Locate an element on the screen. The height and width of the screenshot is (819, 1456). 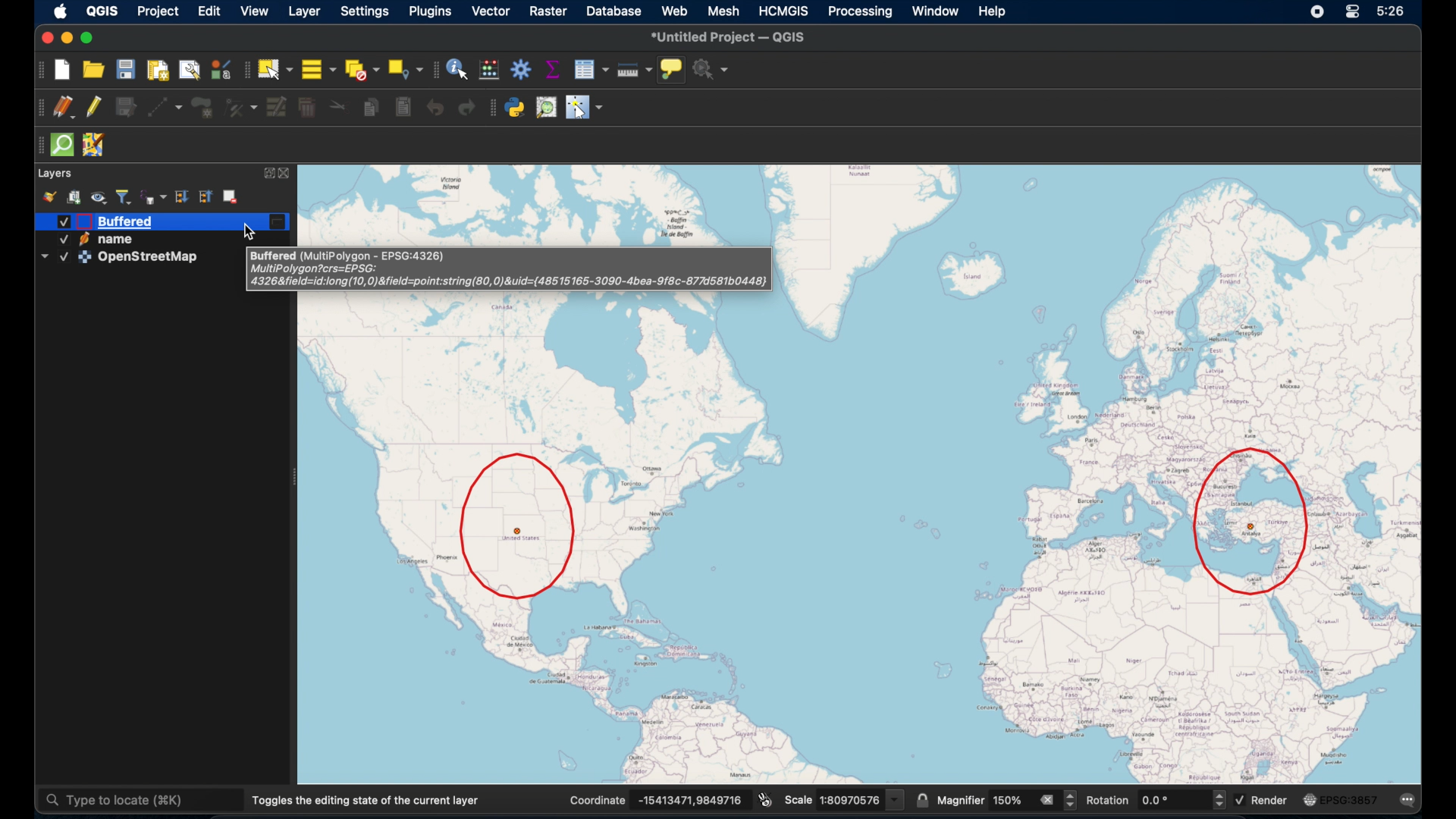
toolbox is located at coordinates (522, 67).